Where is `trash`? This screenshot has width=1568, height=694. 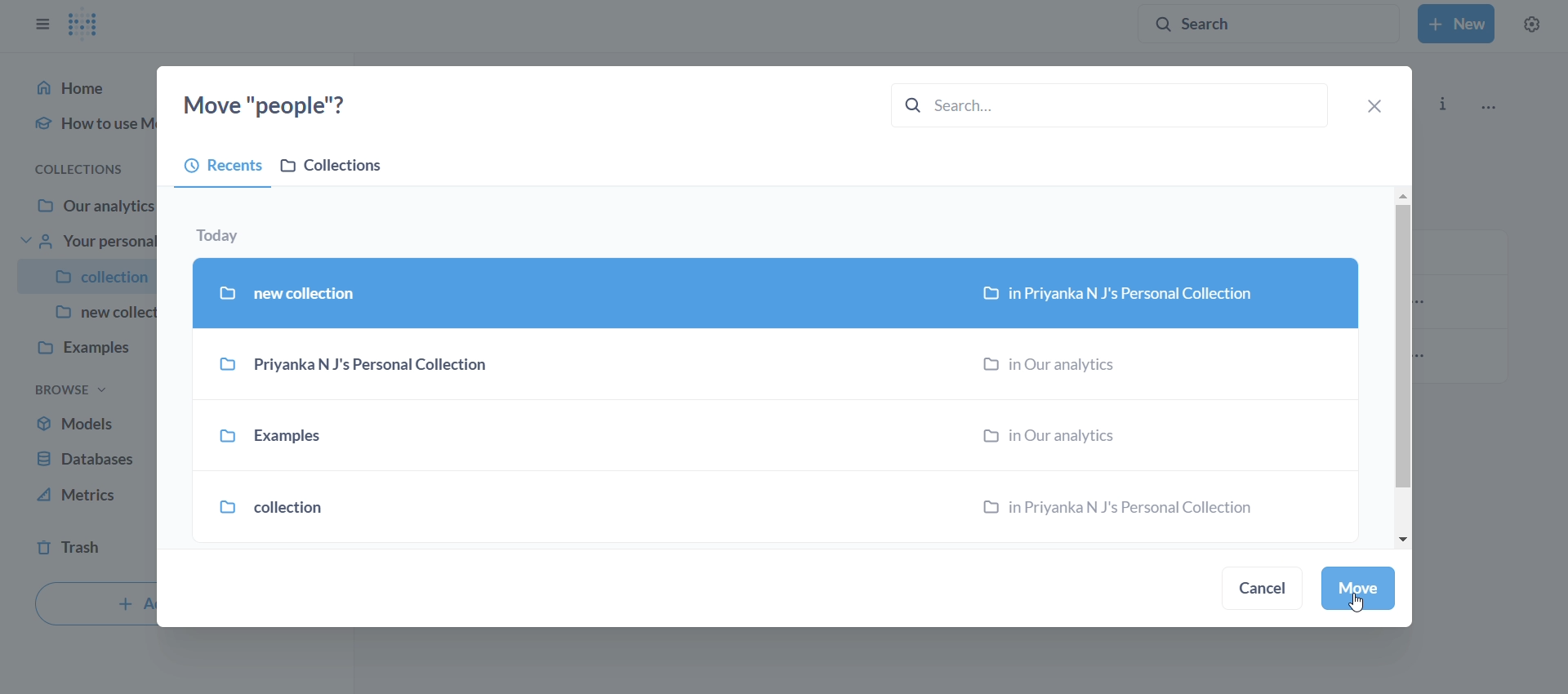 trash is located at coordinates (82, 549).